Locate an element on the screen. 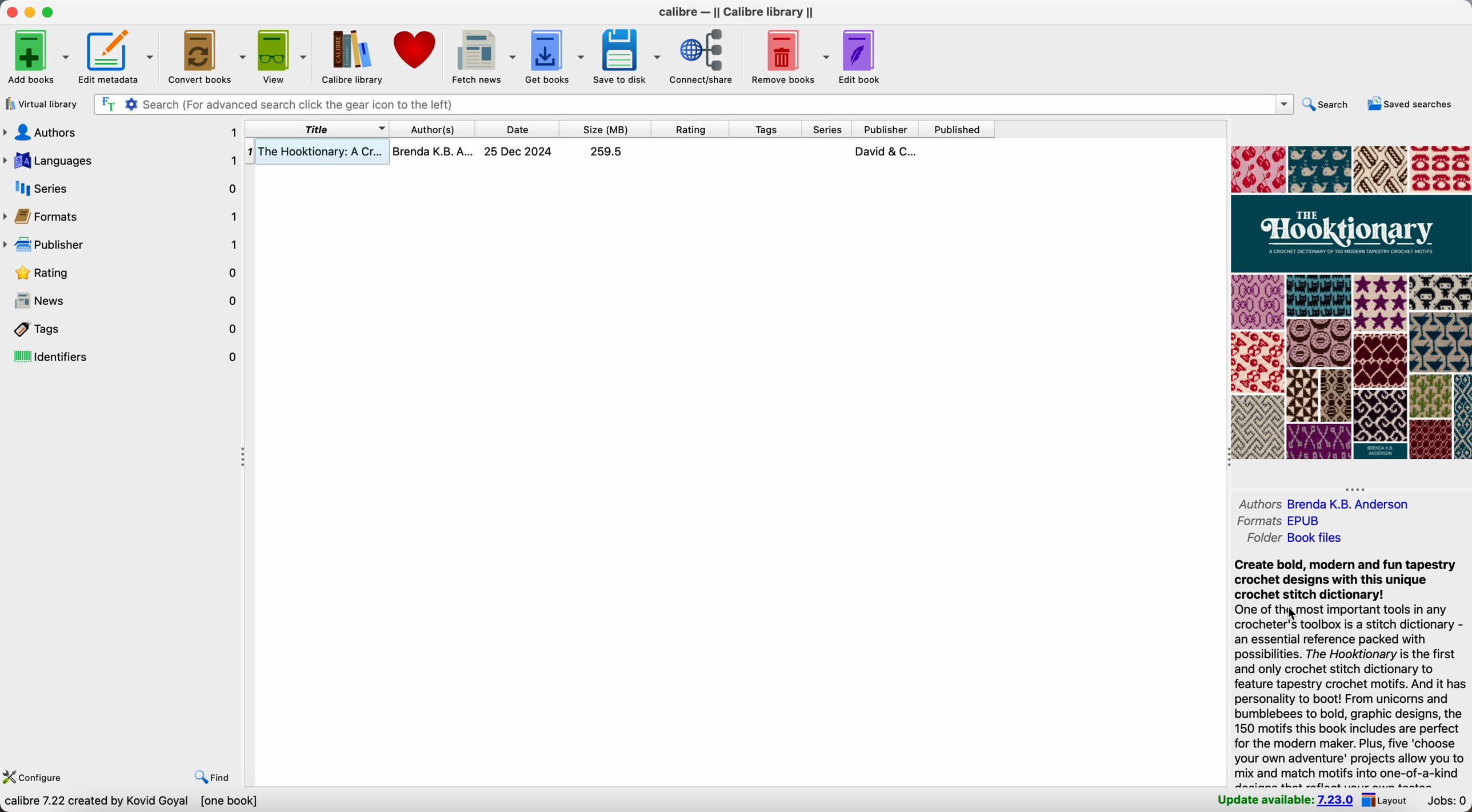  donate is located at coordinates (417, 49).